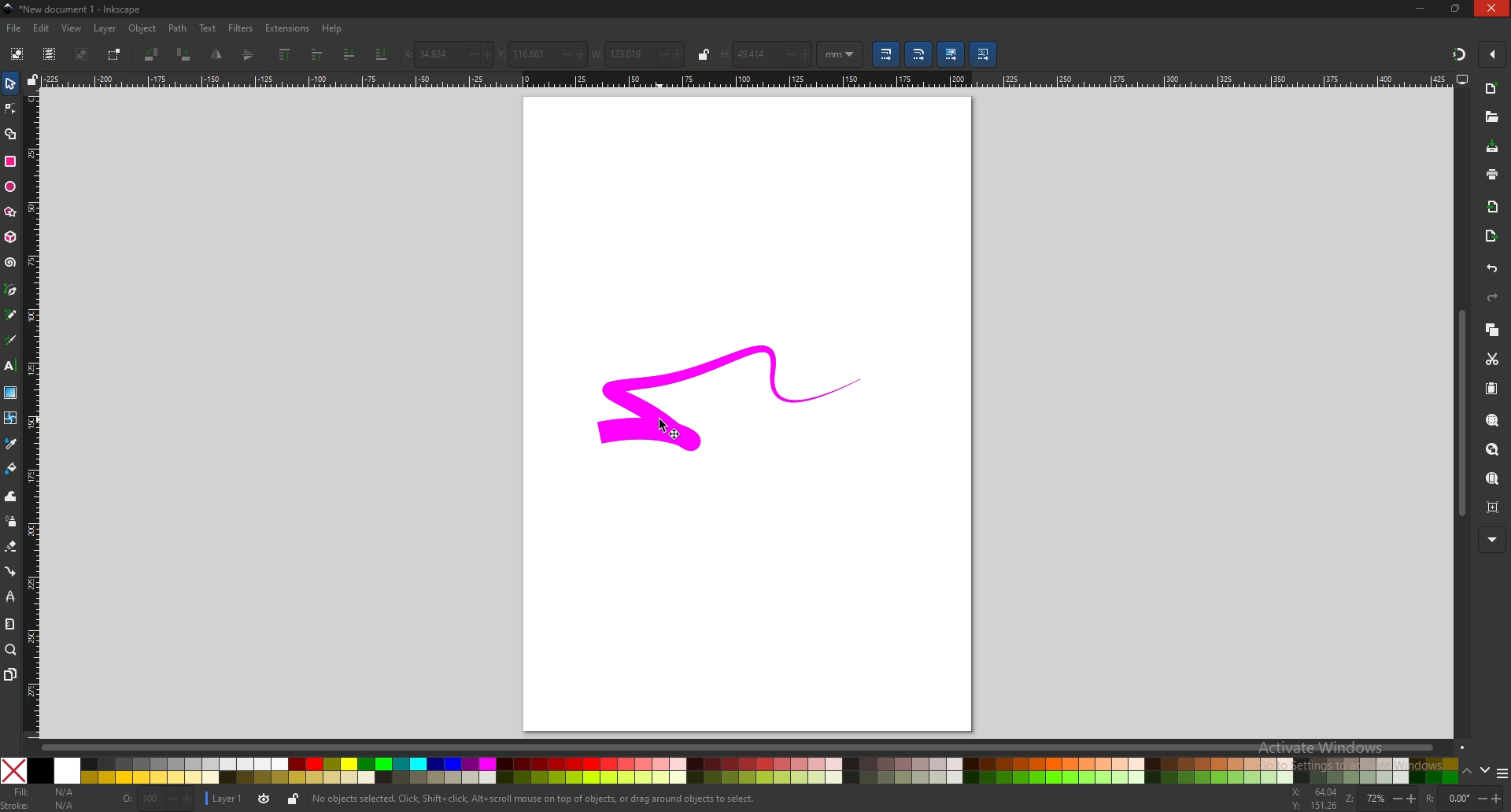 The image size is (1511, 812). Describe the element at coordinates (10, 522) in the screenshot. I see `spray` at that location.